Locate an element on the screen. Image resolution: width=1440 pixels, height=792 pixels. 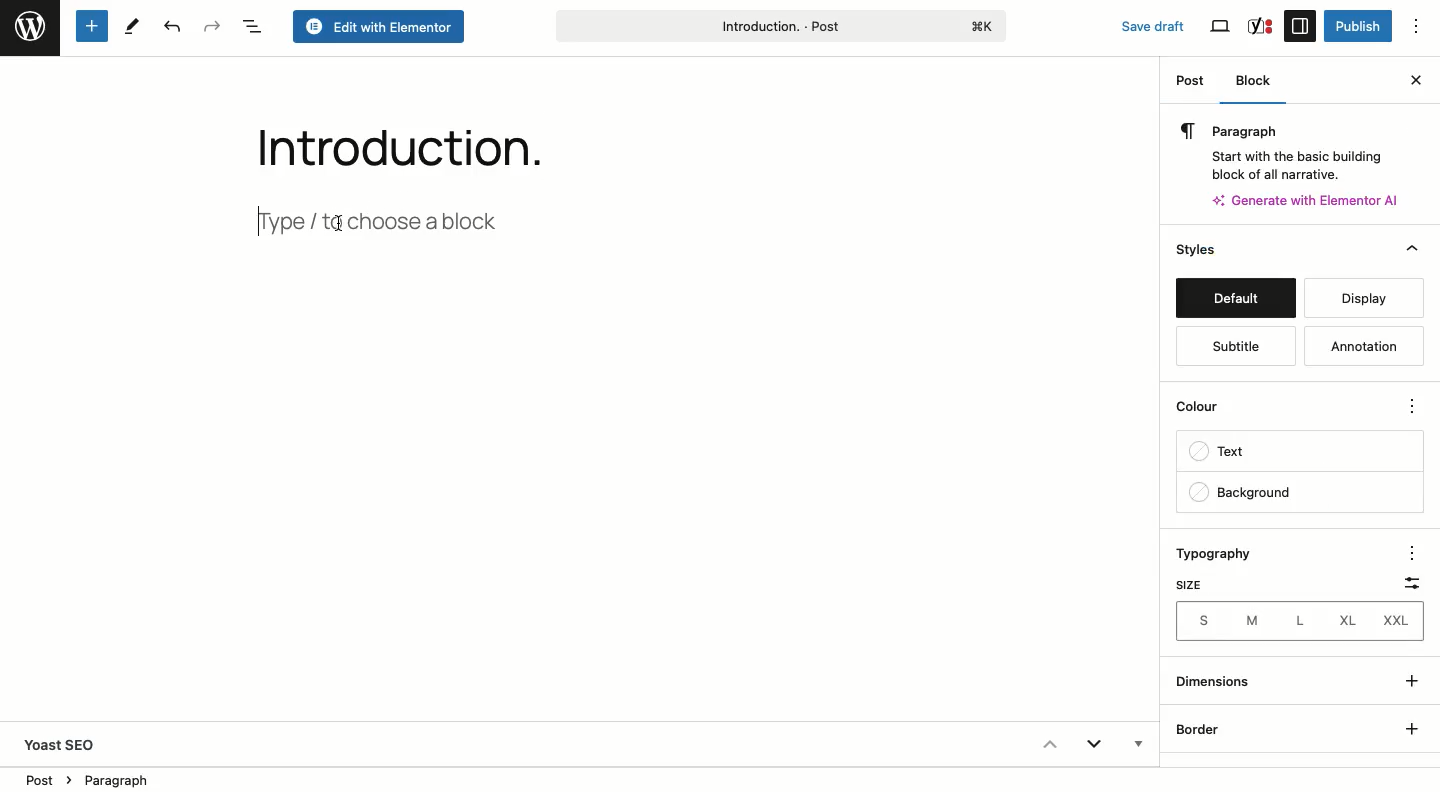
Background is located at coordinates (1241, 493).